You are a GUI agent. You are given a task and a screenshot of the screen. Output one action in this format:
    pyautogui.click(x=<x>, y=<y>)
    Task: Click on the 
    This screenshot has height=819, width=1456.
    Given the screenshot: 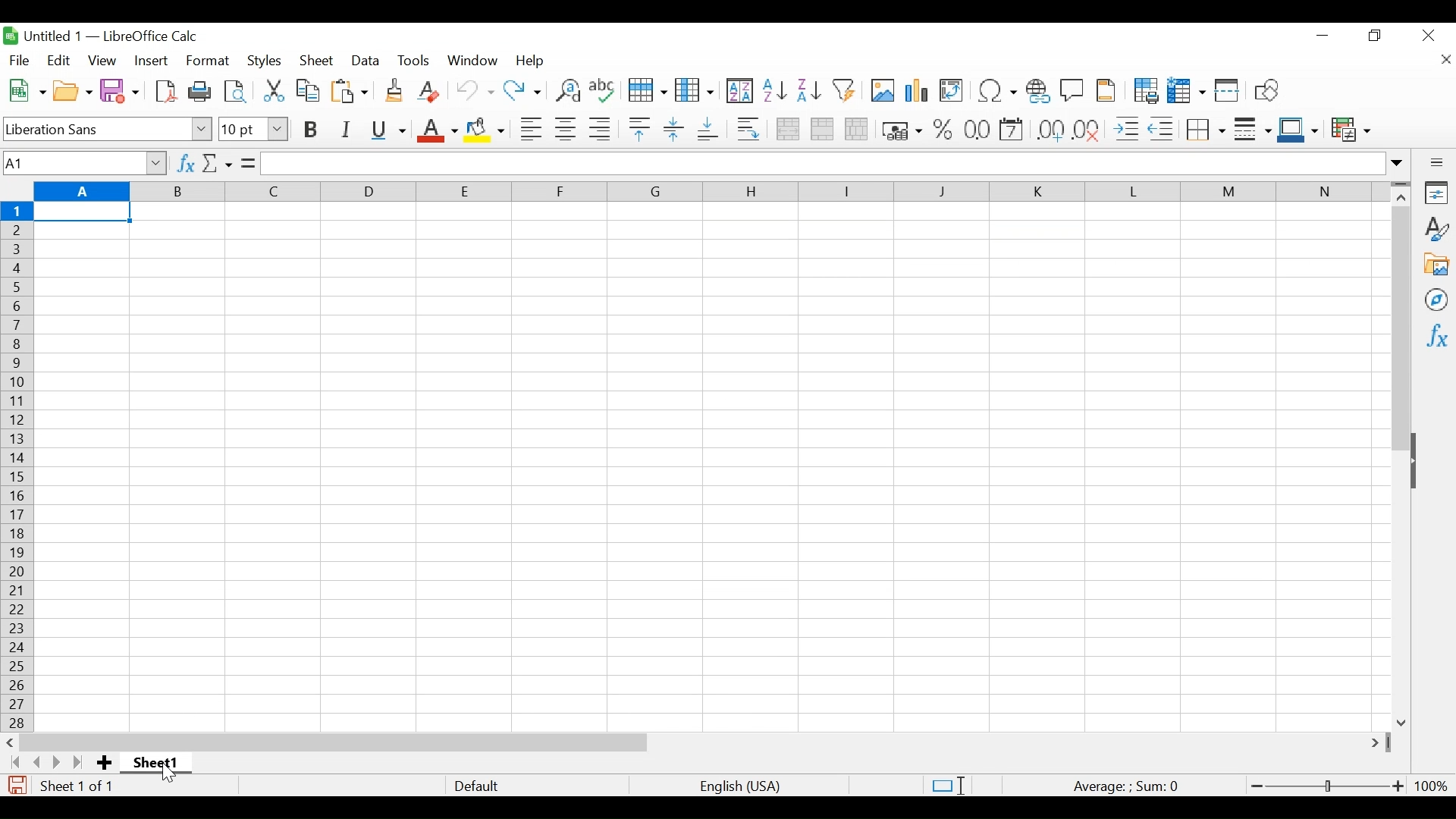 What is the action you would take?
    pyautogui.click(x=712, y=466)
    